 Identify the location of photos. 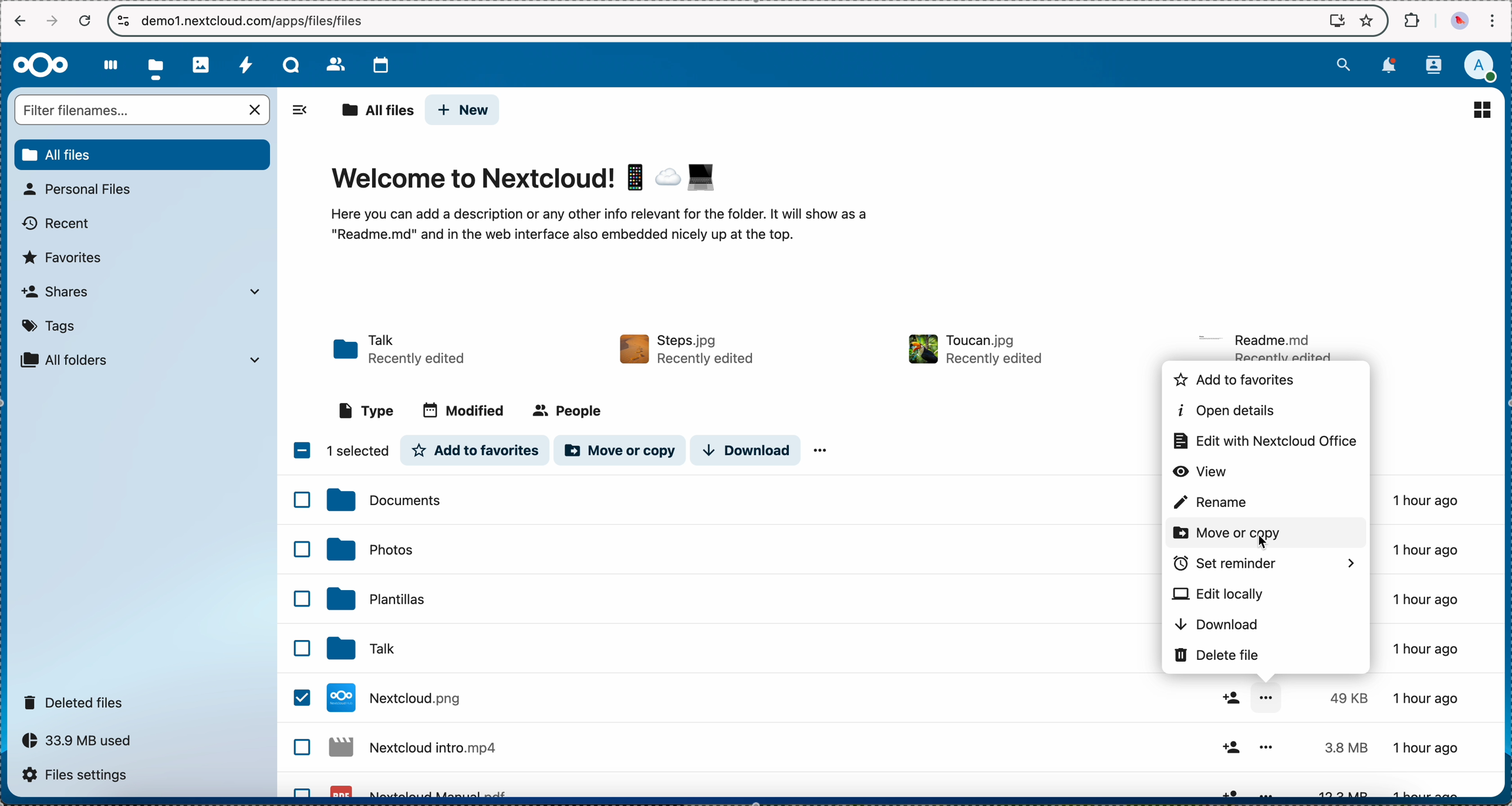
(202, 63).